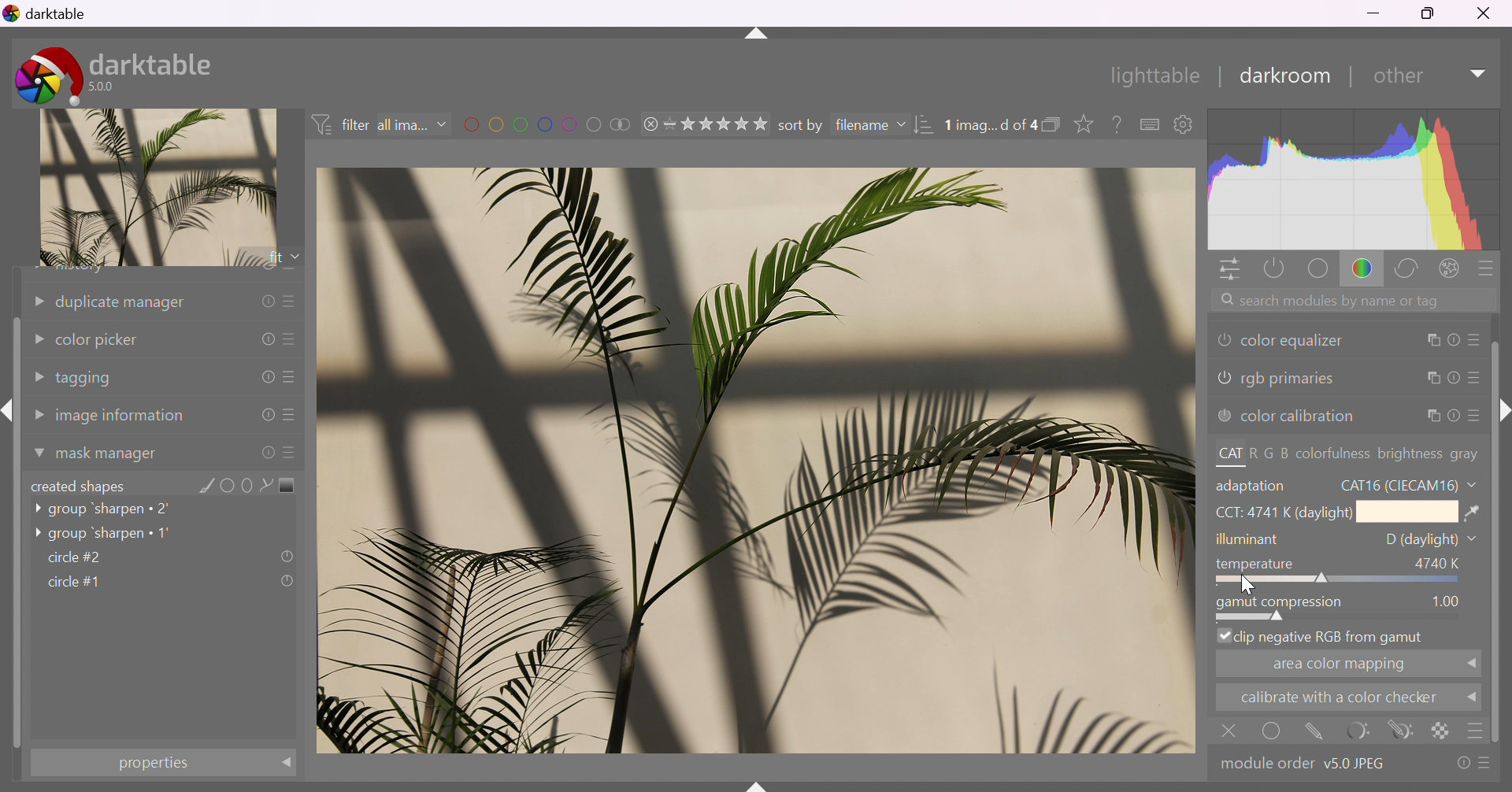 This screenshot has height=792, width=1512. What do you see at coordinates (105, 535) in the screenshot?
I see `group 'sharpen 1'` at bounding box center [105, 535].